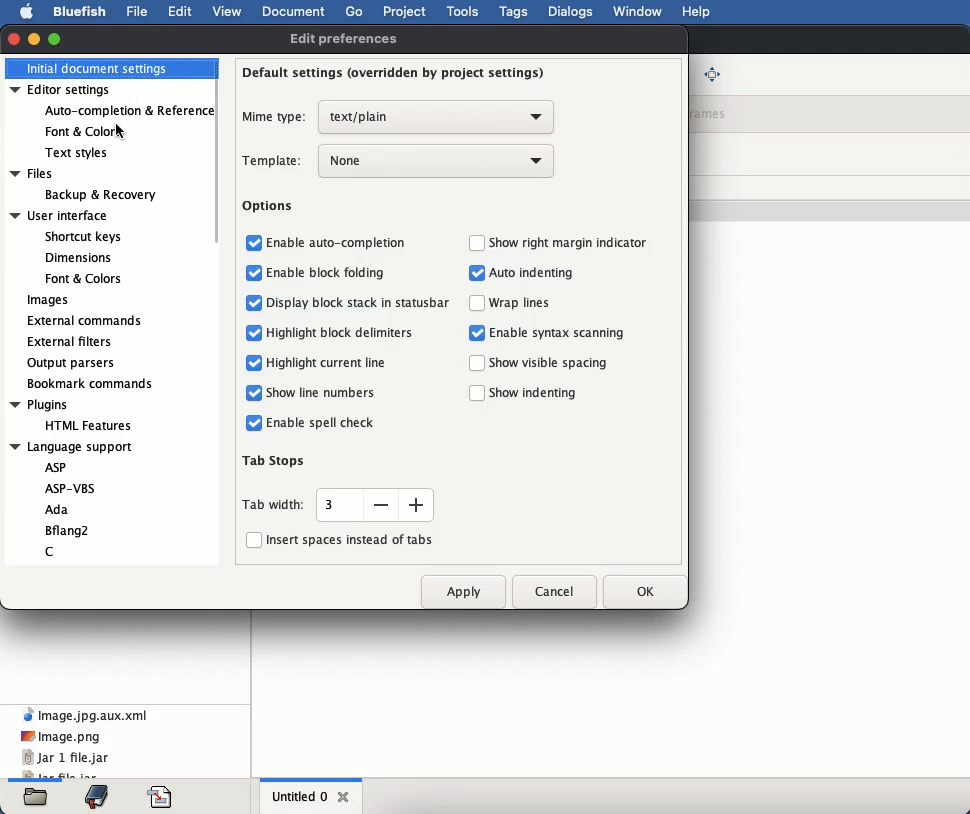  What do you see at coordinates (407, 12) in the screenshot?
I see `project` at bounding box center [407, 12].